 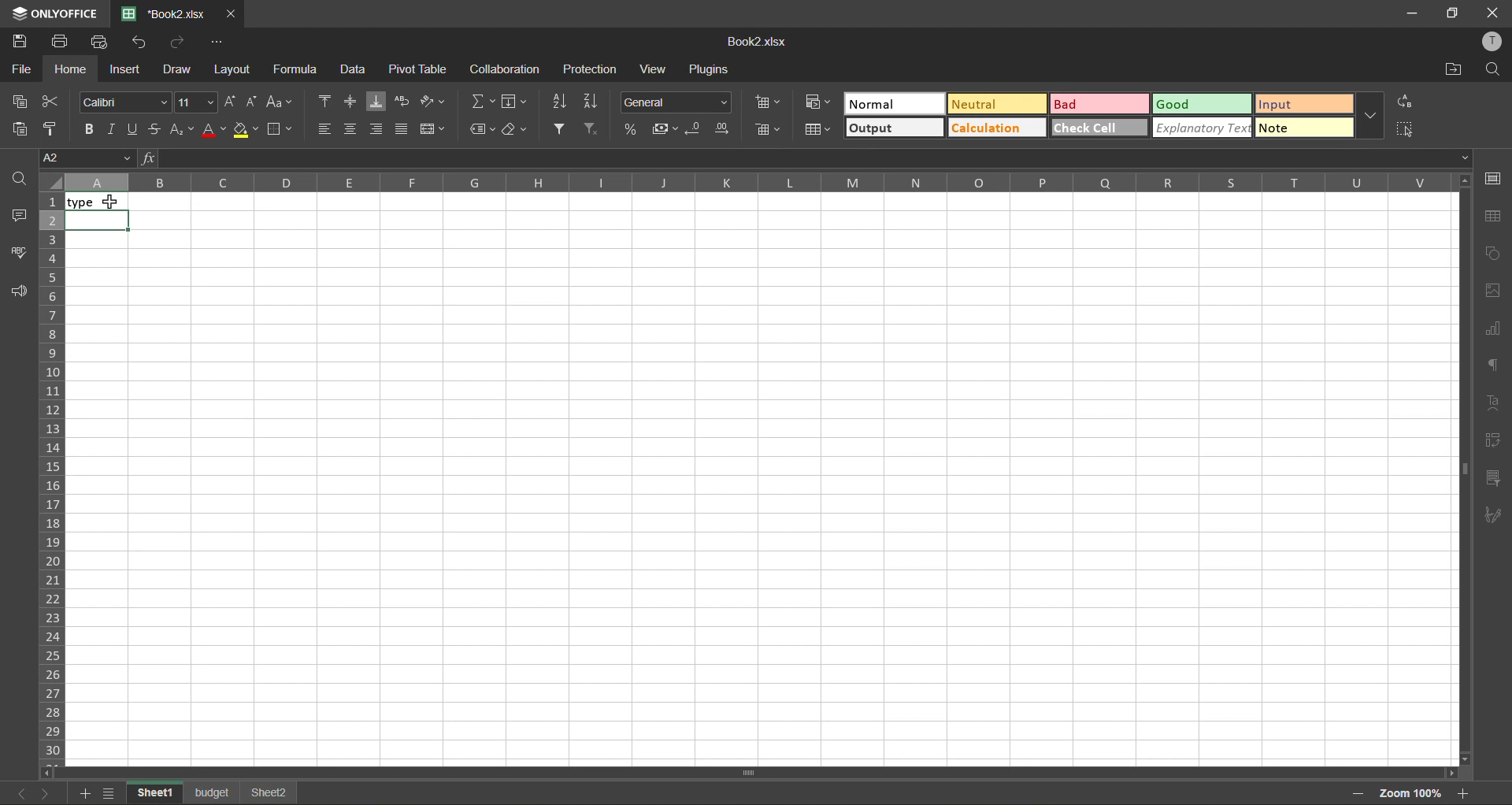 I want to click on conditional formatting, so click(x=816, y=102).